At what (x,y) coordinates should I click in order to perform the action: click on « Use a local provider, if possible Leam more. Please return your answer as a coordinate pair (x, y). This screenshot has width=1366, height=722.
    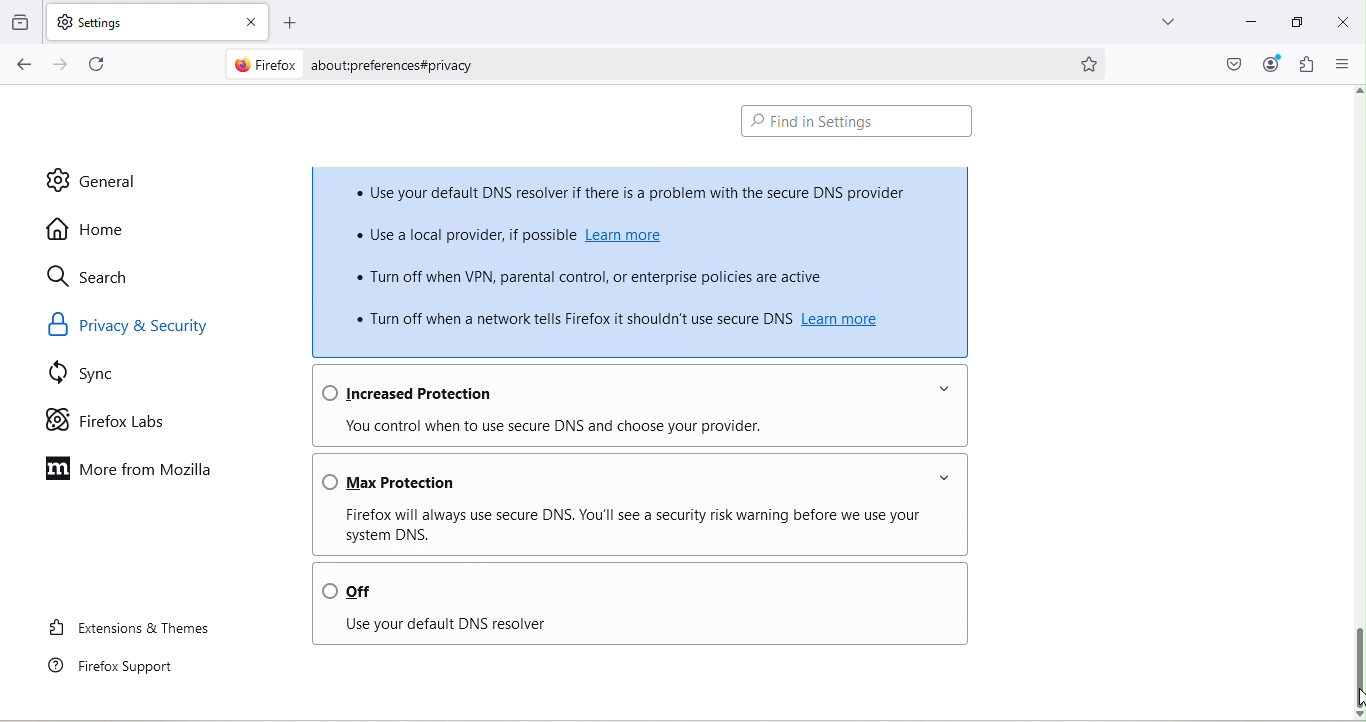
    Looking at the image, I should click on (556, 236).